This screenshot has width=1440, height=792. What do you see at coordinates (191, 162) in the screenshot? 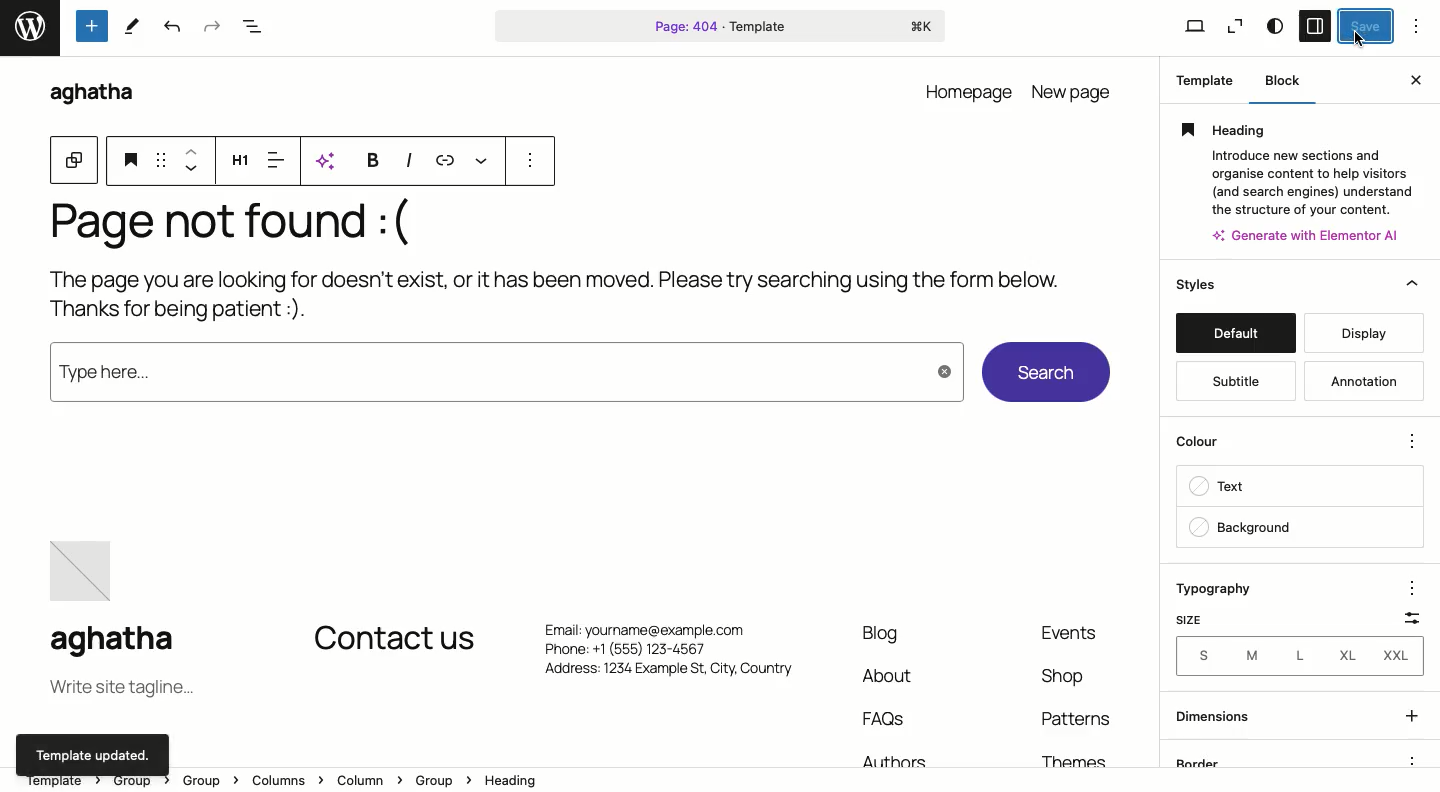
I see `Move up and down` at bounding box center [191, 162].